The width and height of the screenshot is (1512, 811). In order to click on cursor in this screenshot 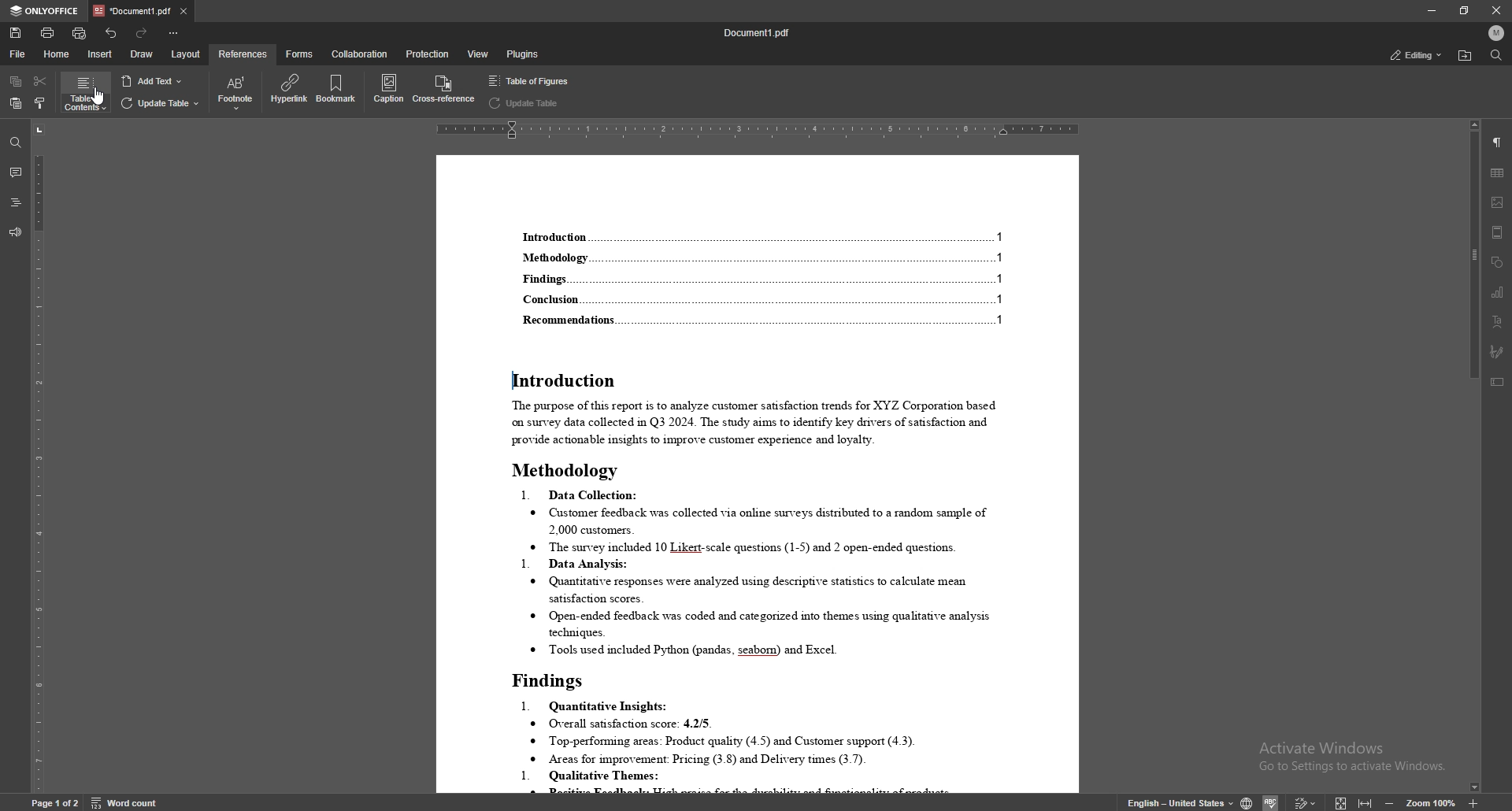, I will do `click(98, 98)`.